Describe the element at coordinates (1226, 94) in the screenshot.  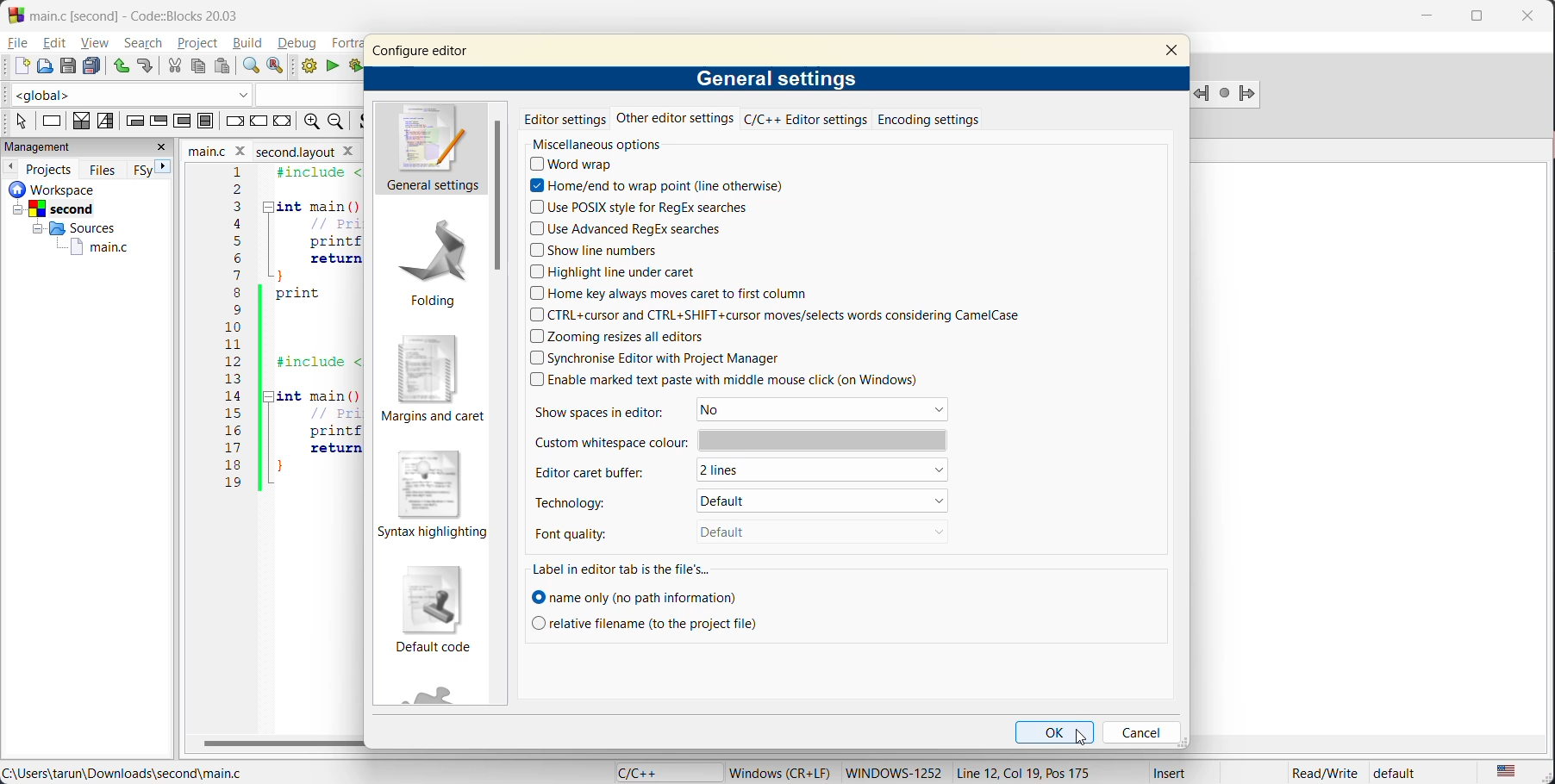
I see `last jump` at that location.